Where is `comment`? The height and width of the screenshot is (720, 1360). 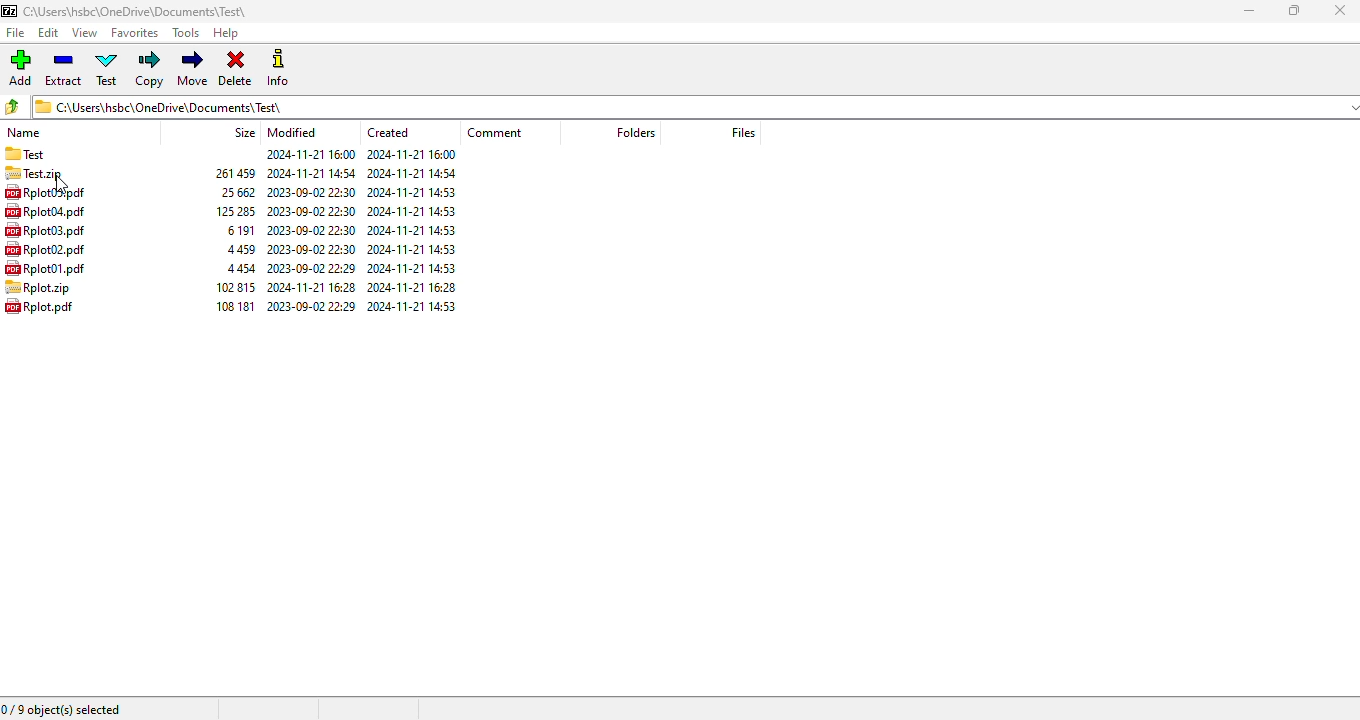 comment is located at coordinates (495, 133).